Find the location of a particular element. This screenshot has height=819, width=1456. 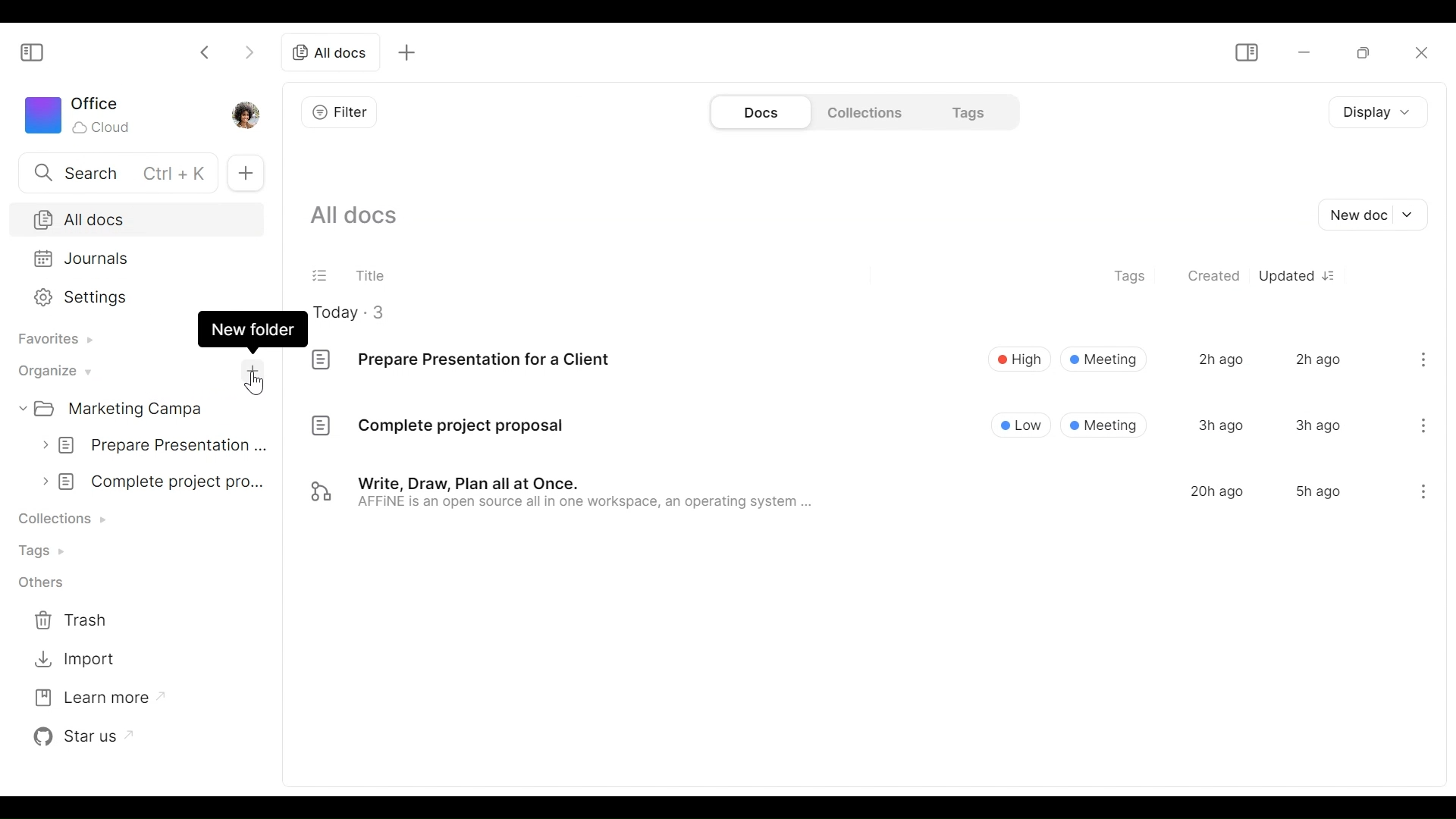

Filter is located at coordinates (340, 111).